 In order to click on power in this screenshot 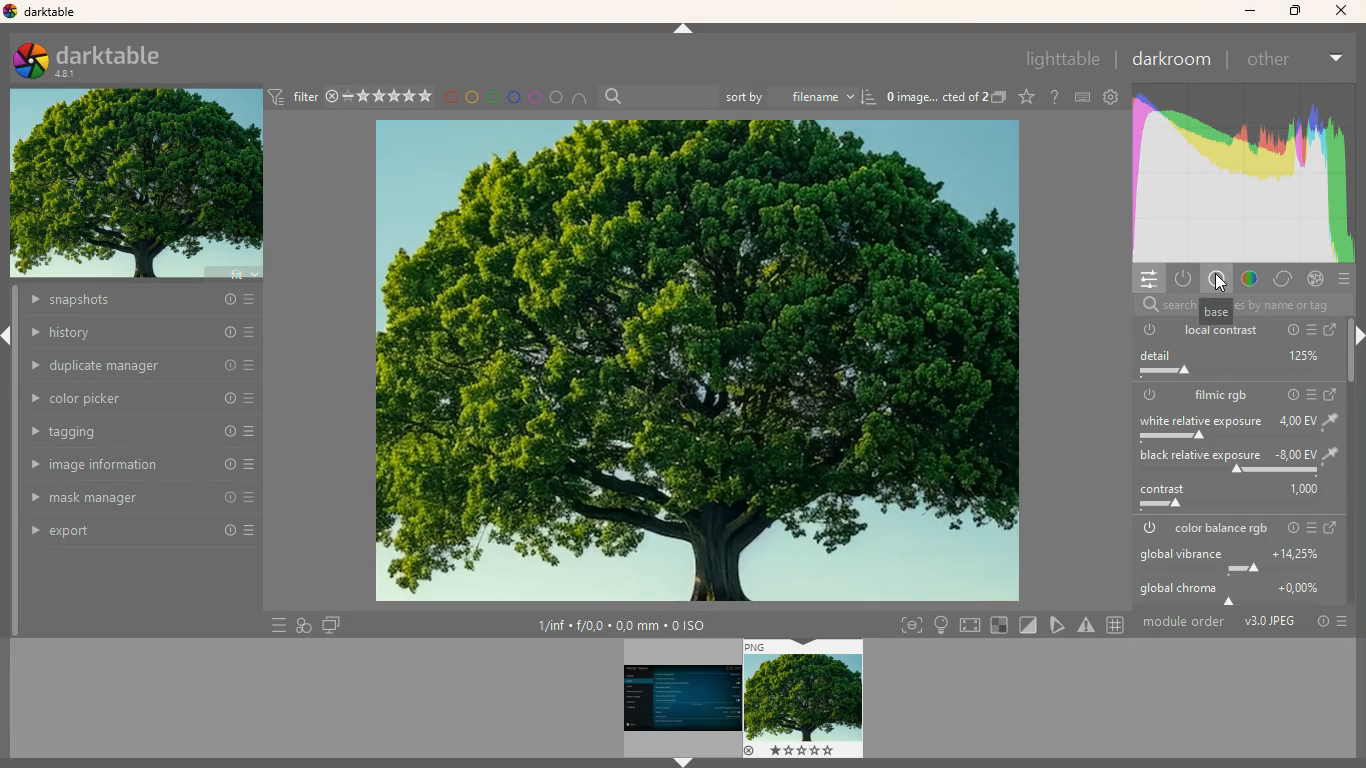, I will do `click(1182, 279)`.